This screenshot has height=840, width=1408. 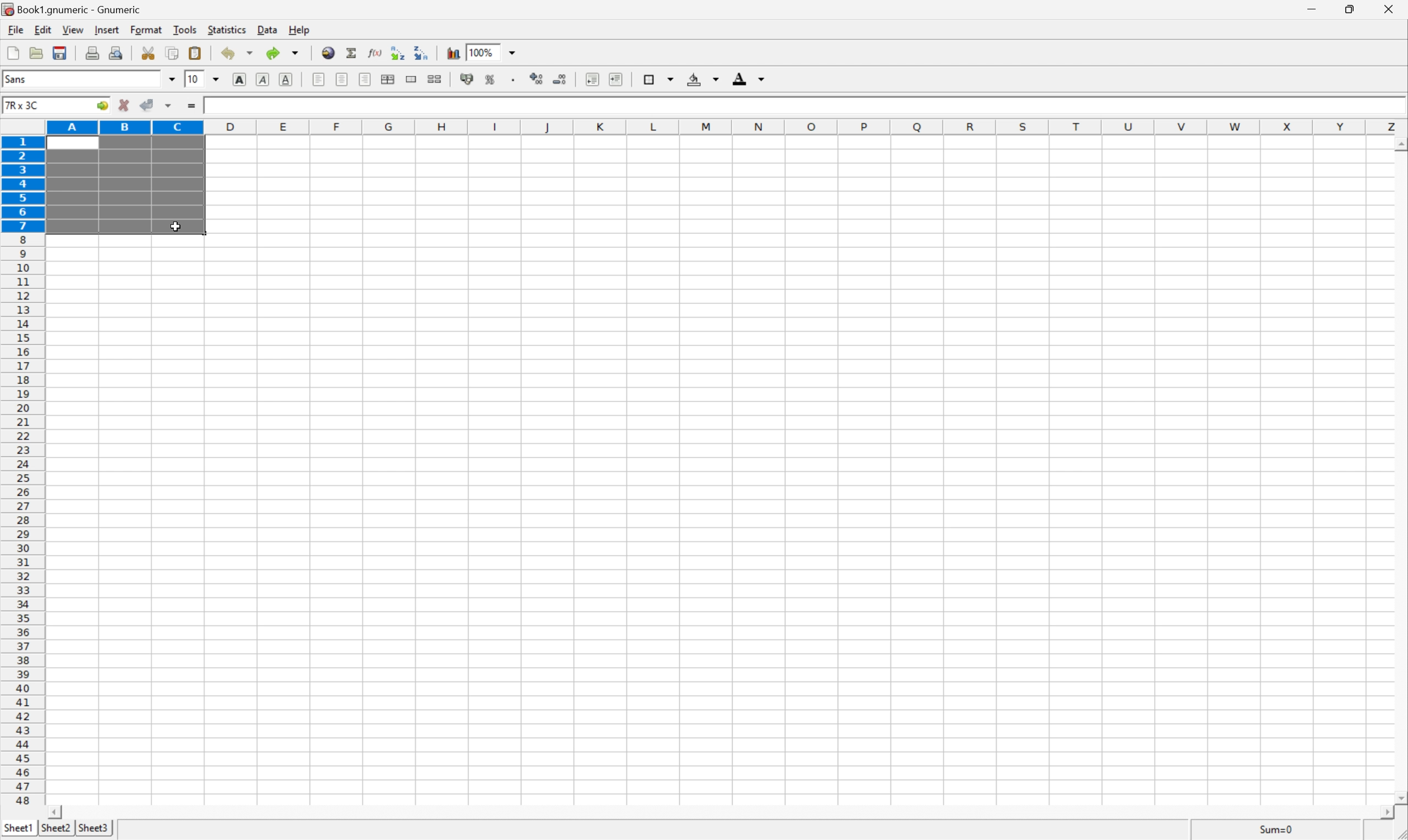 I want to click on scroll down, so click(x=1399, y=799).